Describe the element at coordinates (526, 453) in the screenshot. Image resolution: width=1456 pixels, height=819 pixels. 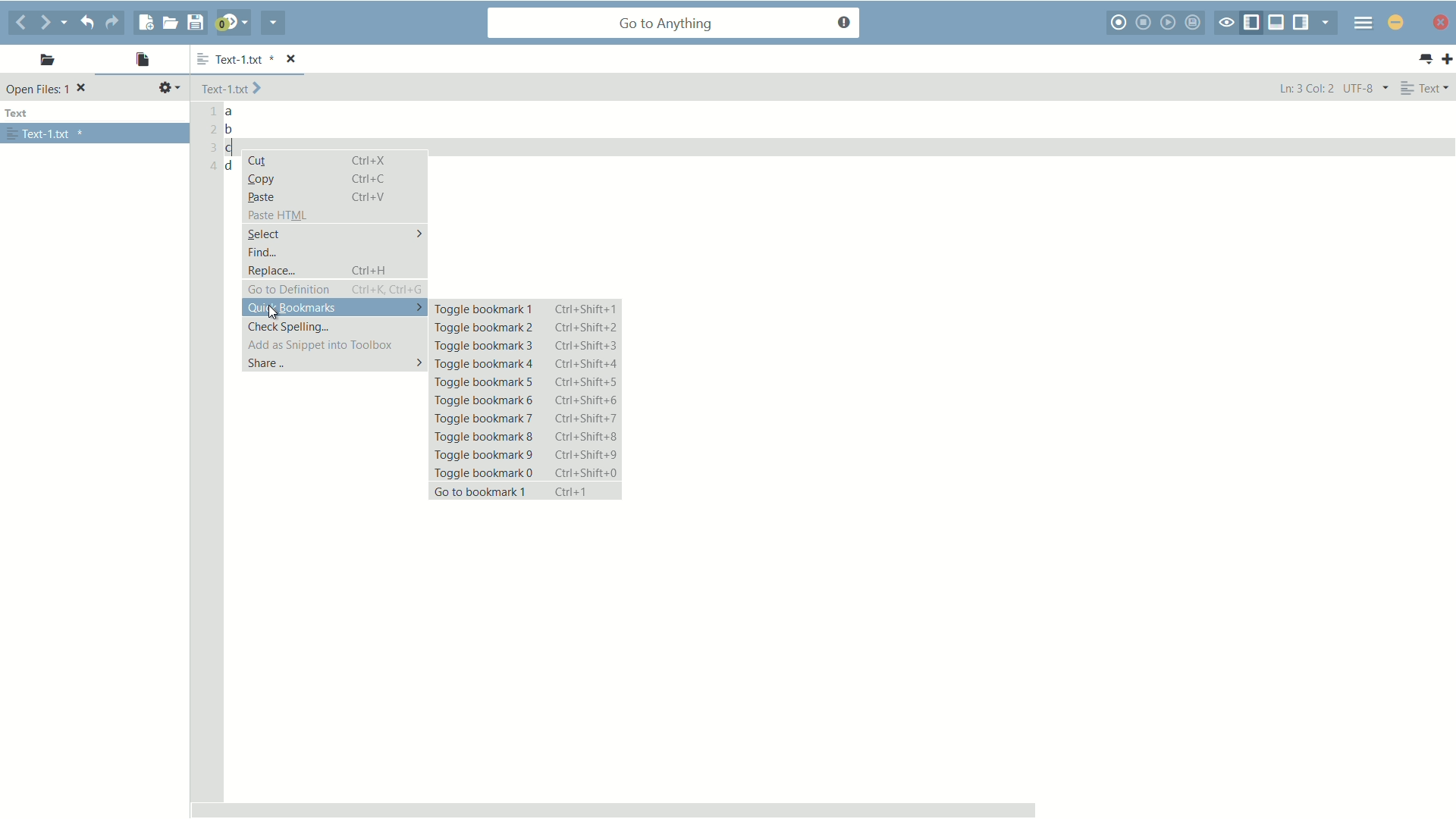
I see `toggle bookmark 9` at that location.